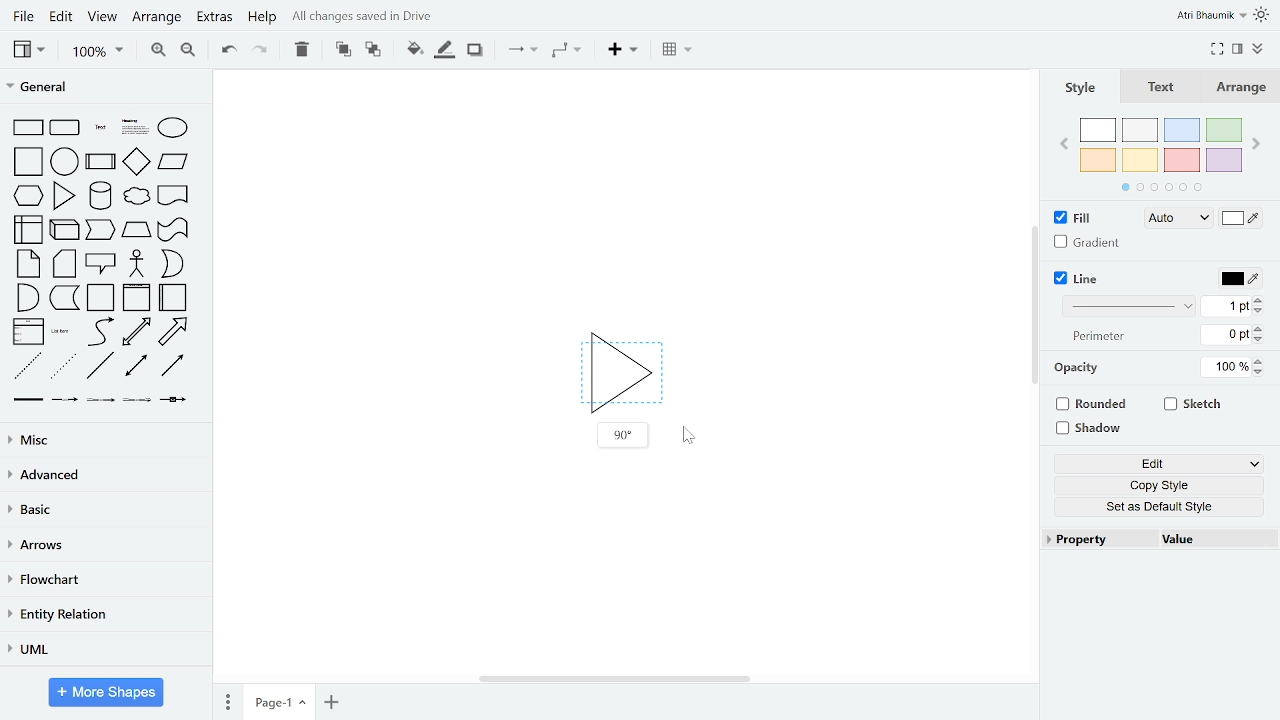 The height and width of the screenshot is (720, 1280). What do you see at coordinates (173, 367) in the screenshot?
I see `directional arrow` at bounding box center [173, 367].